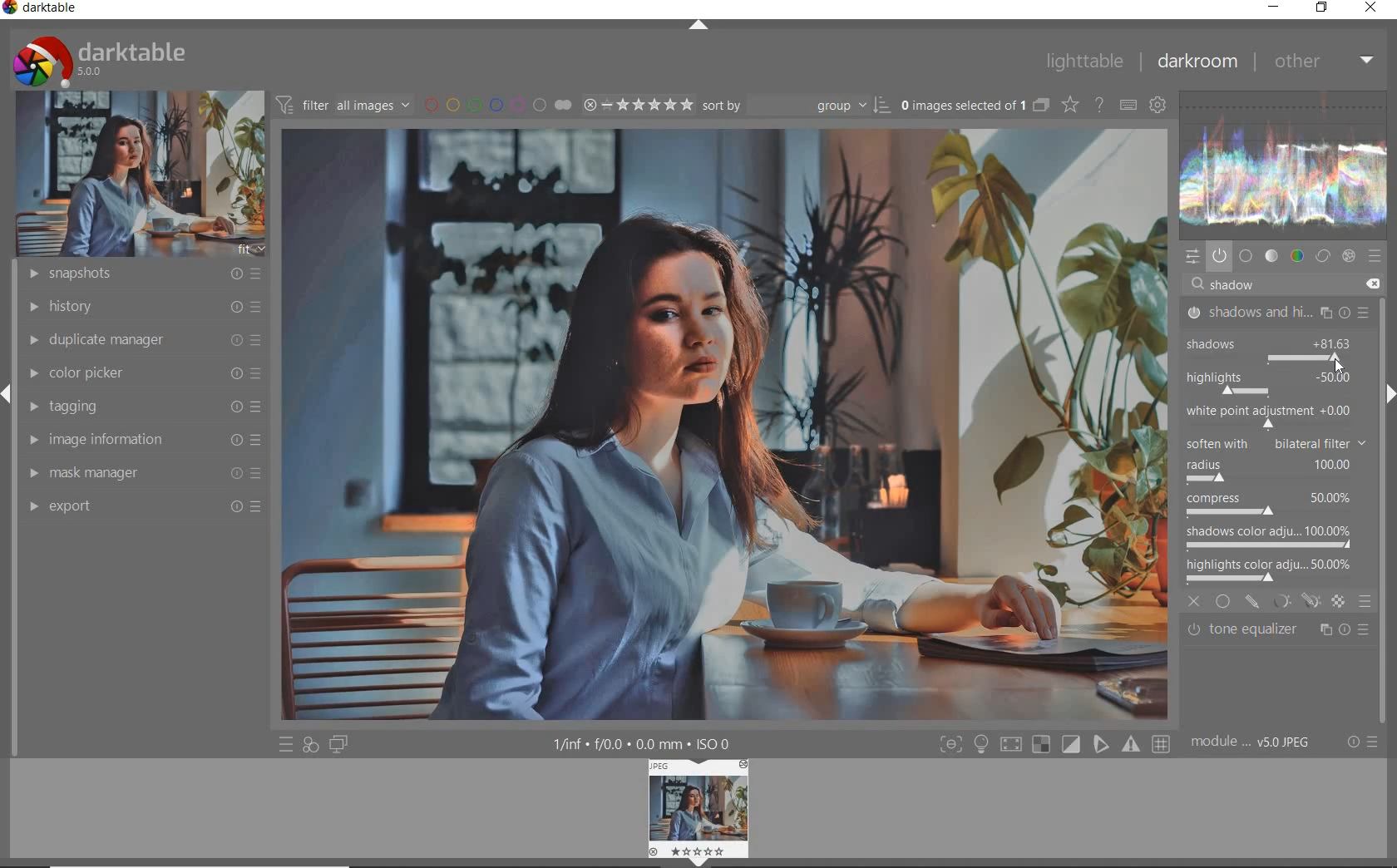  Describe the element at coordinates (698, 27) in the screenshot. I see `expand/collapse` at that location.